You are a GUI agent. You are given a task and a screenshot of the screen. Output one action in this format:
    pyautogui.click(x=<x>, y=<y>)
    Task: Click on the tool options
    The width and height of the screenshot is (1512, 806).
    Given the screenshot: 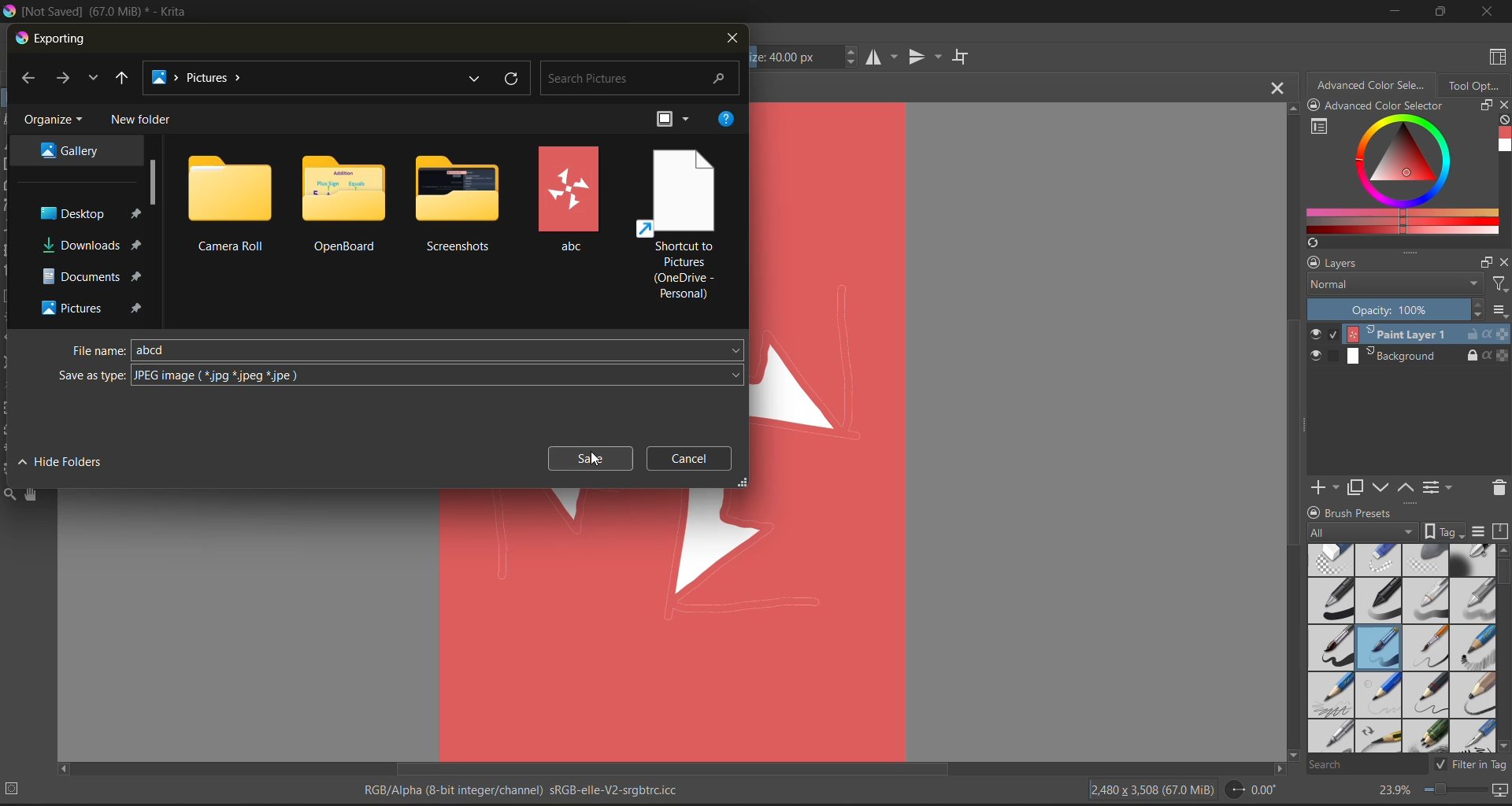 What is the action you would take?
    pyautogui.click(x=1476, y=88)
    